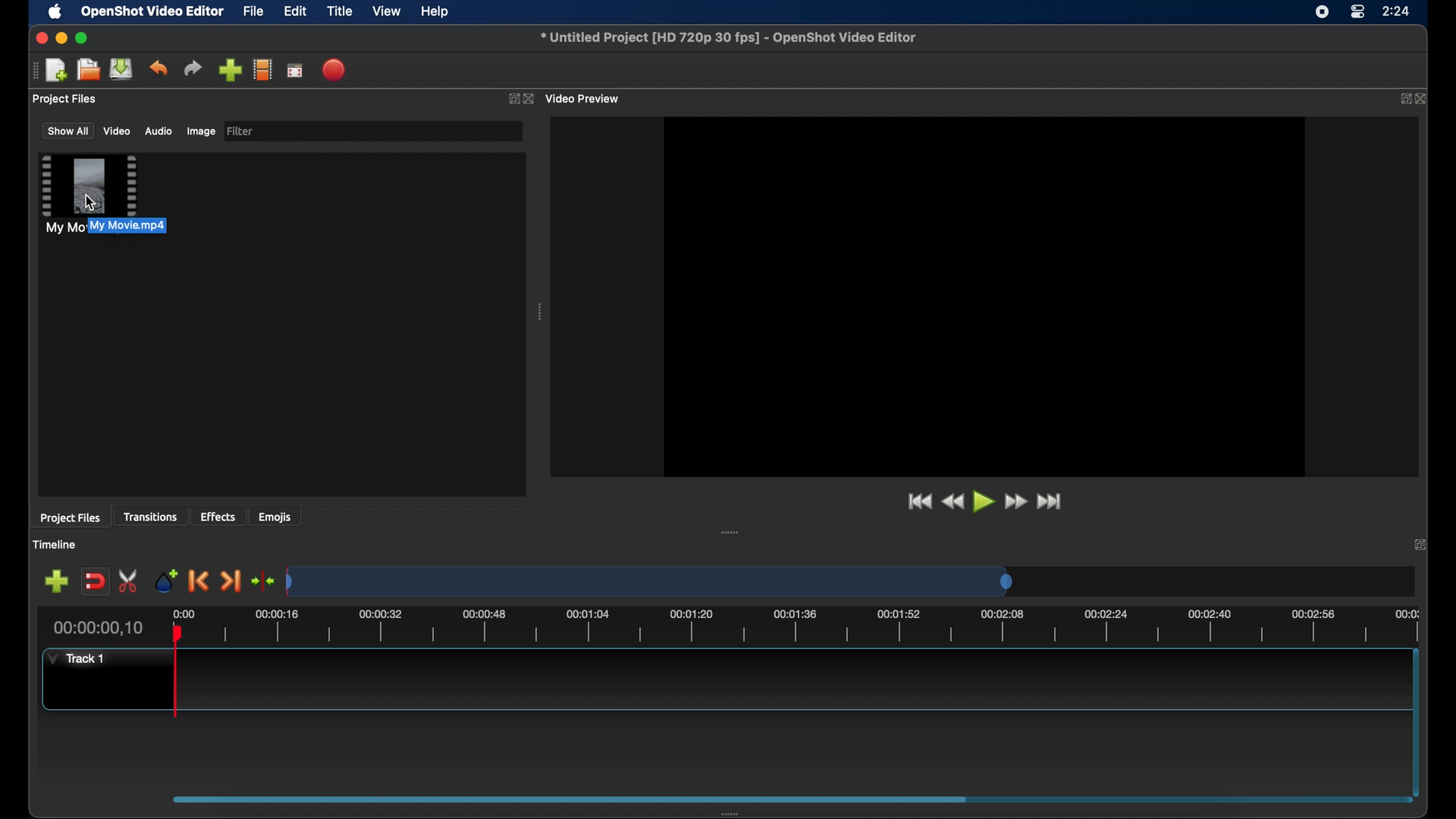  I want to click on project file, so click(87, 194).